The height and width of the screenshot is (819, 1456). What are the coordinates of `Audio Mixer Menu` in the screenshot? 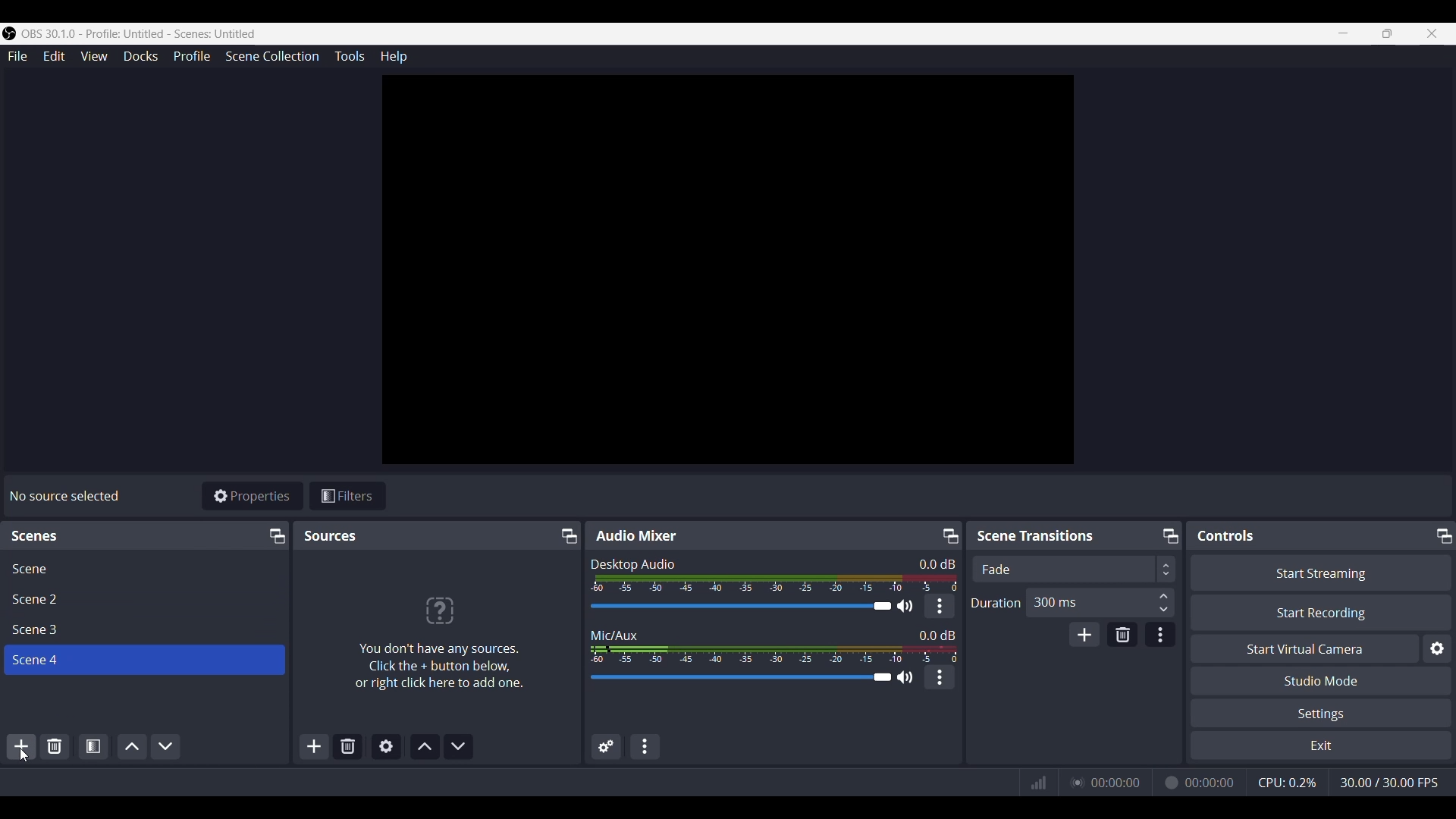 It's located at (645, 746).